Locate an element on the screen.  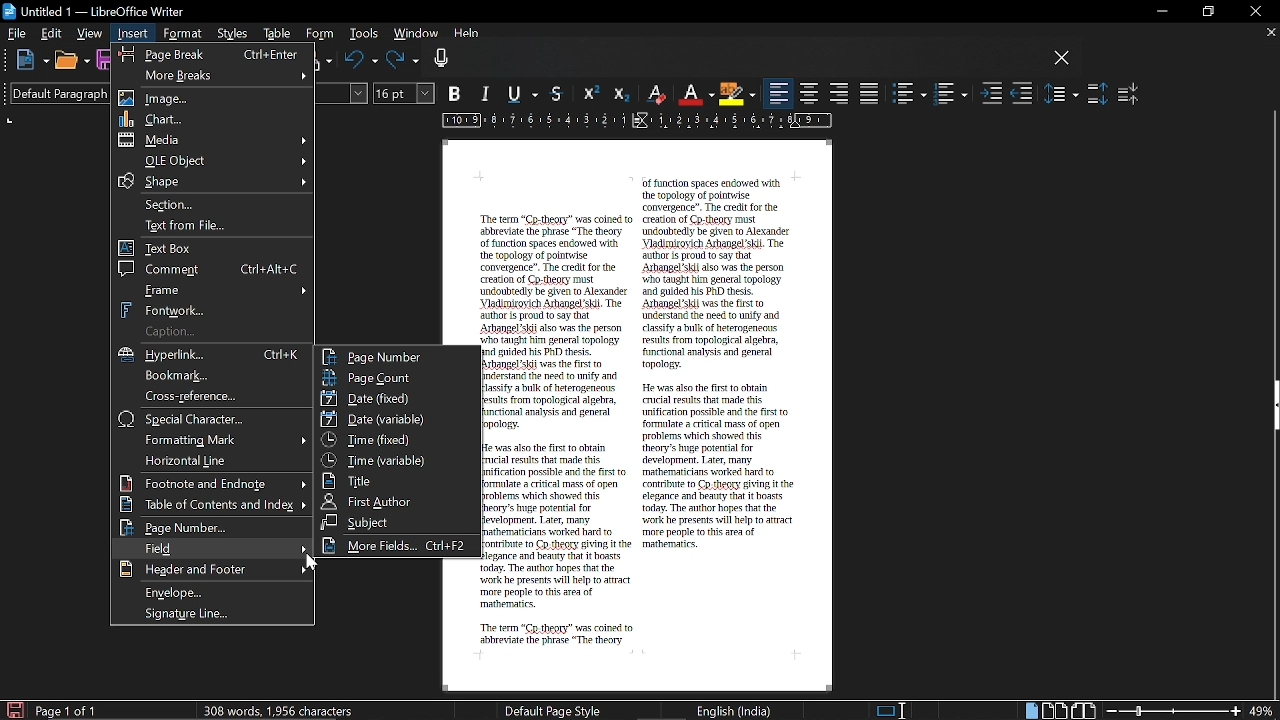
Table of contents and index is located at coordinates (214, 505).